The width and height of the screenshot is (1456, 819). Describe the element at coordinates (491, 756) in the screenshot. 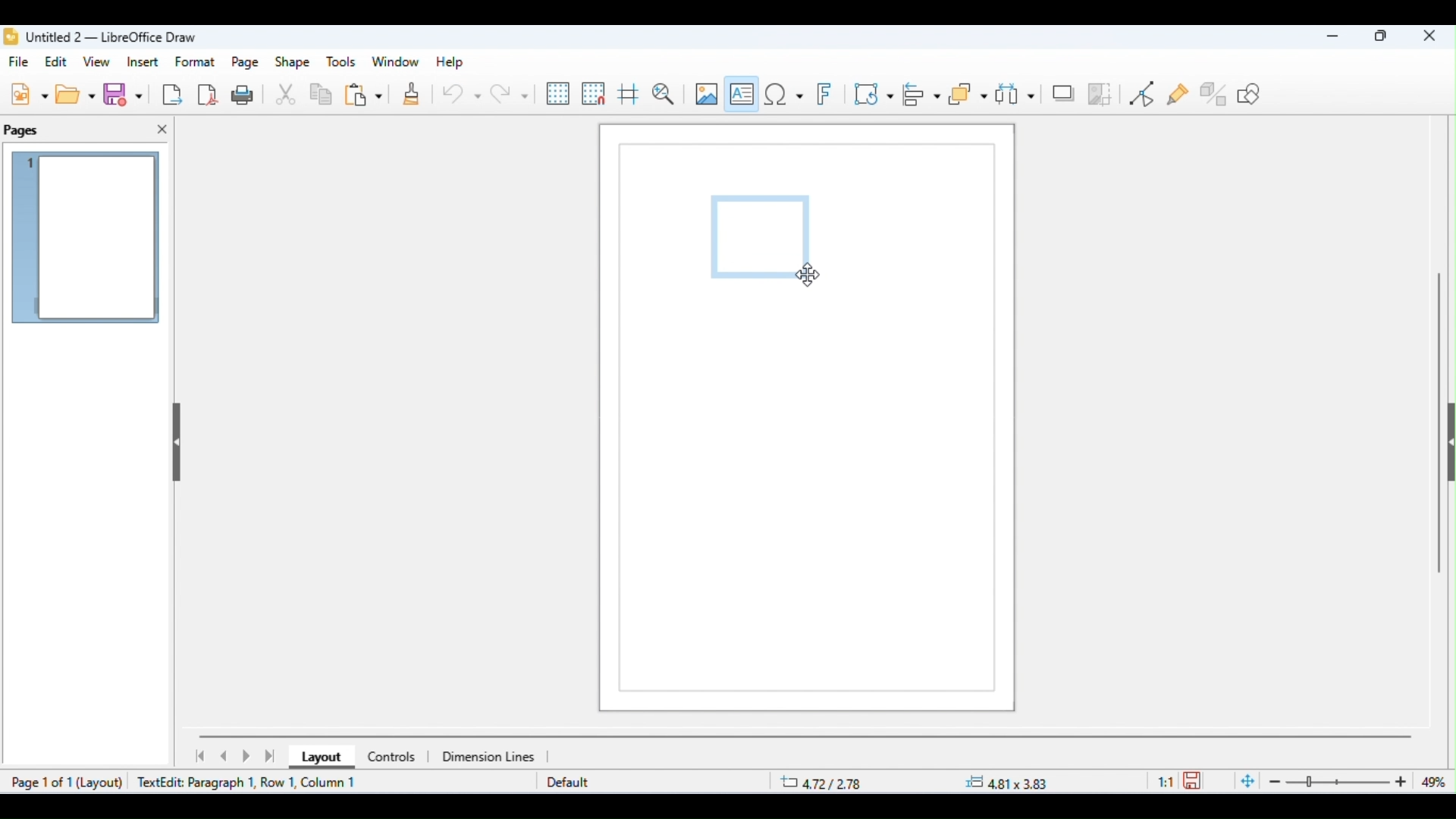

I see `dimensions line` at that location.